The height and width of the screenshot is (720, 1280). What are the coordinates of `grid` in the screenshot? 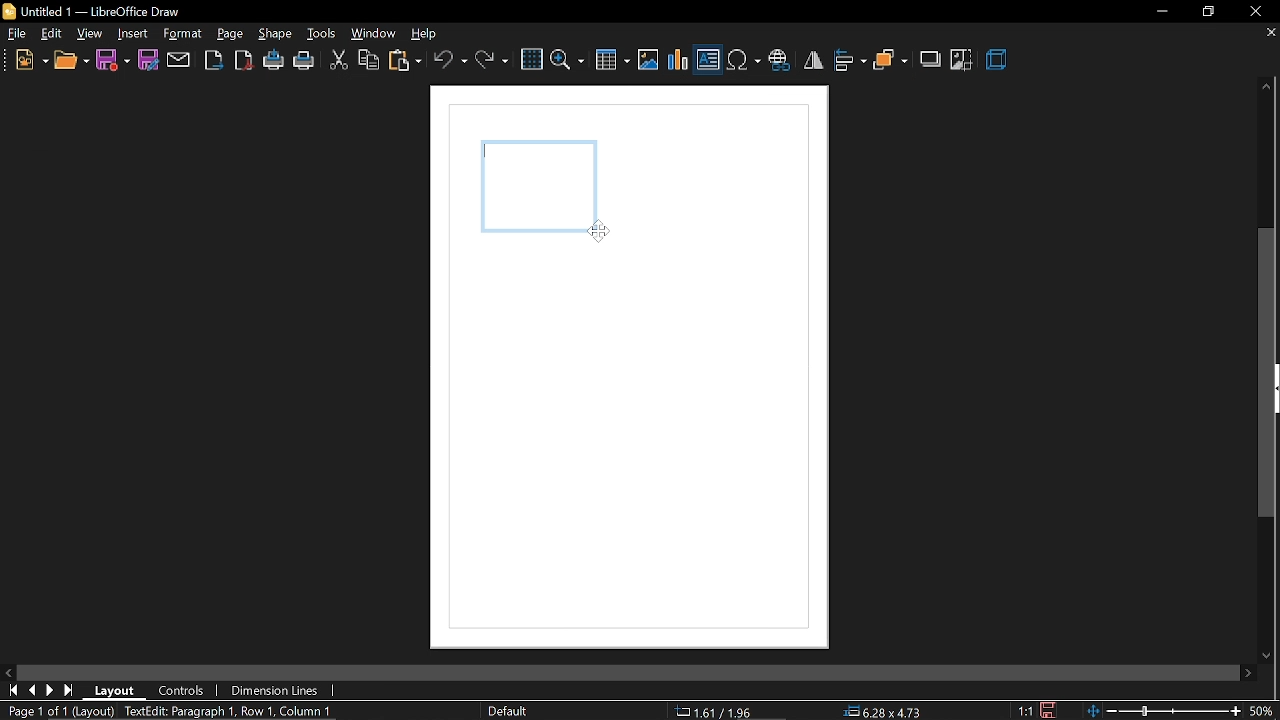 It's located at (531, 60).